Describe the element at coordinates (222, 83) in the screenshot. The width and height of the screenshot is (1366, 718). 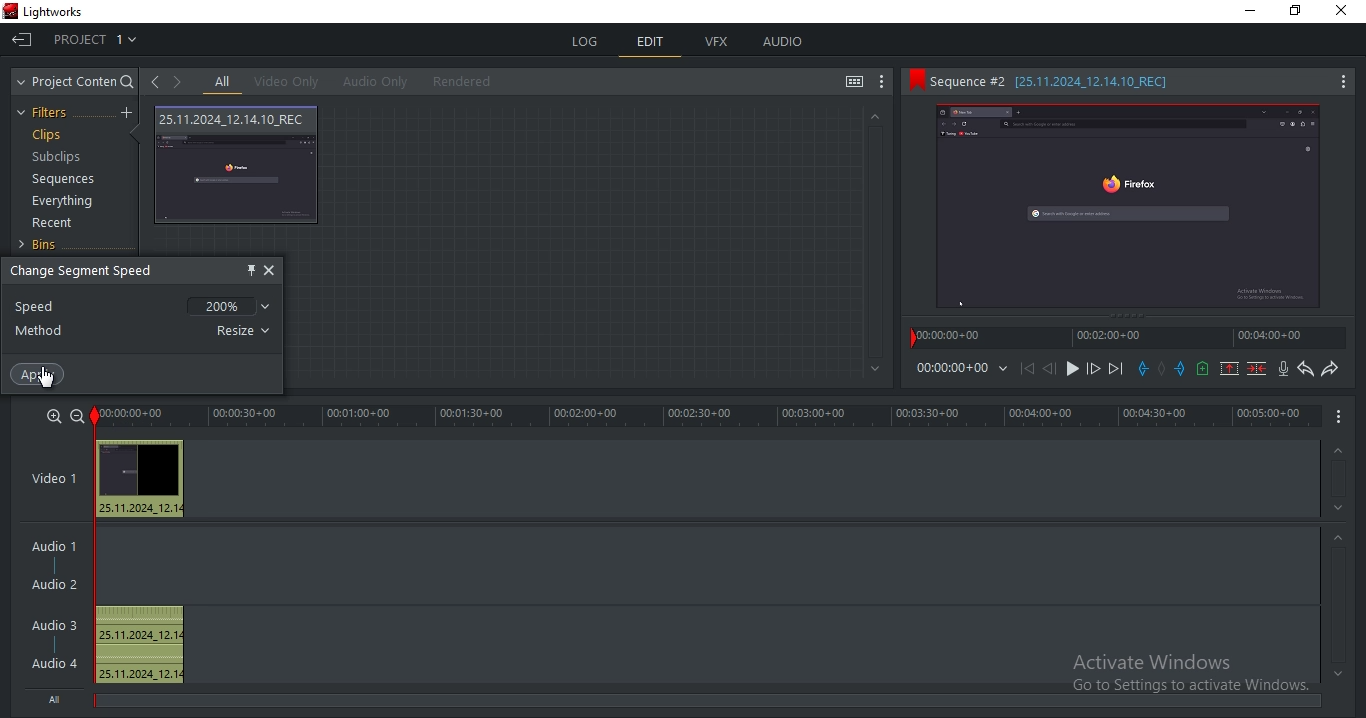
I see `all` at that location.